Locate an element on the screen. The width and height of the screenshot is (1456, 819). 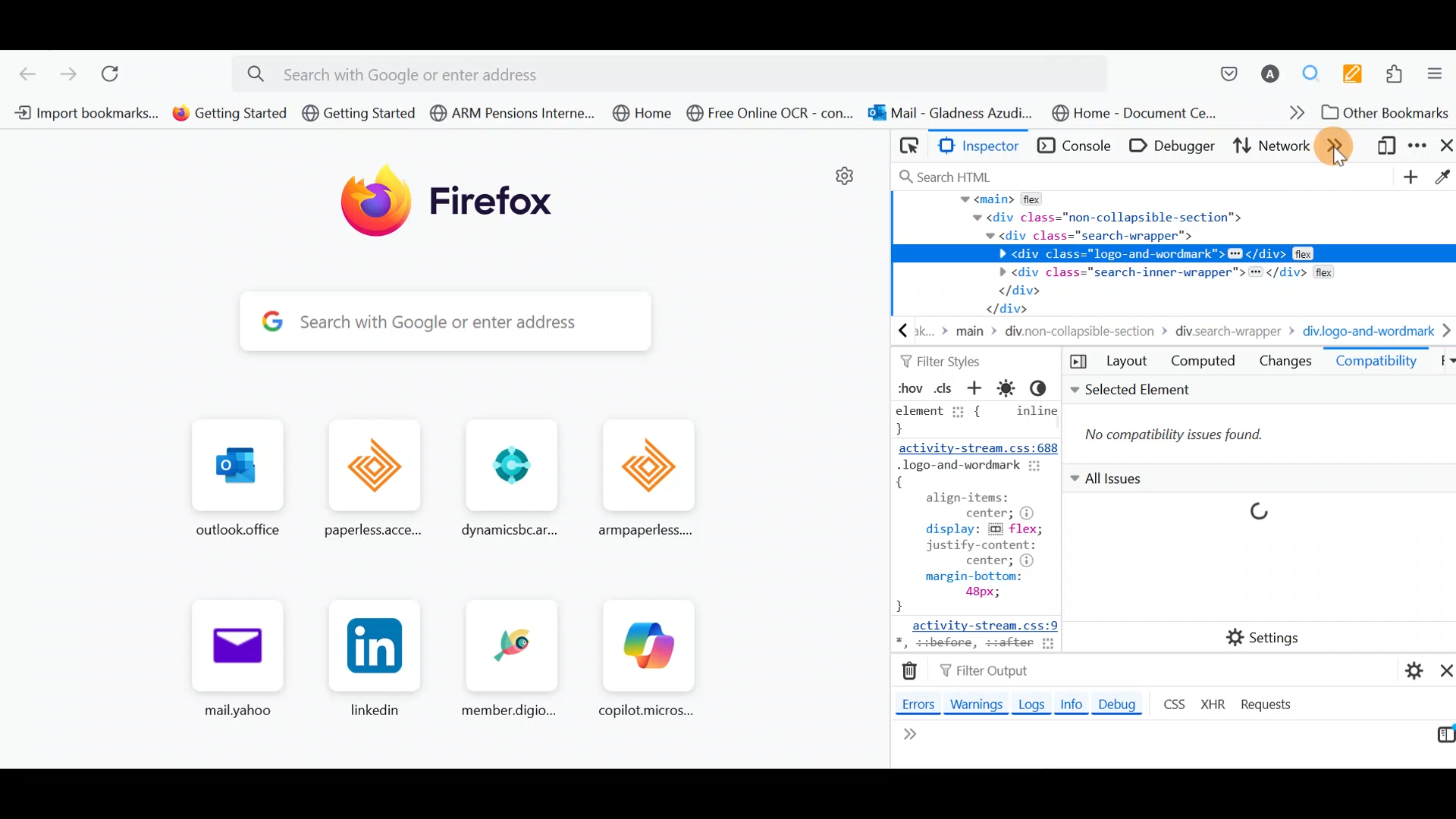
Debug is located at coordinates (1123, 704).